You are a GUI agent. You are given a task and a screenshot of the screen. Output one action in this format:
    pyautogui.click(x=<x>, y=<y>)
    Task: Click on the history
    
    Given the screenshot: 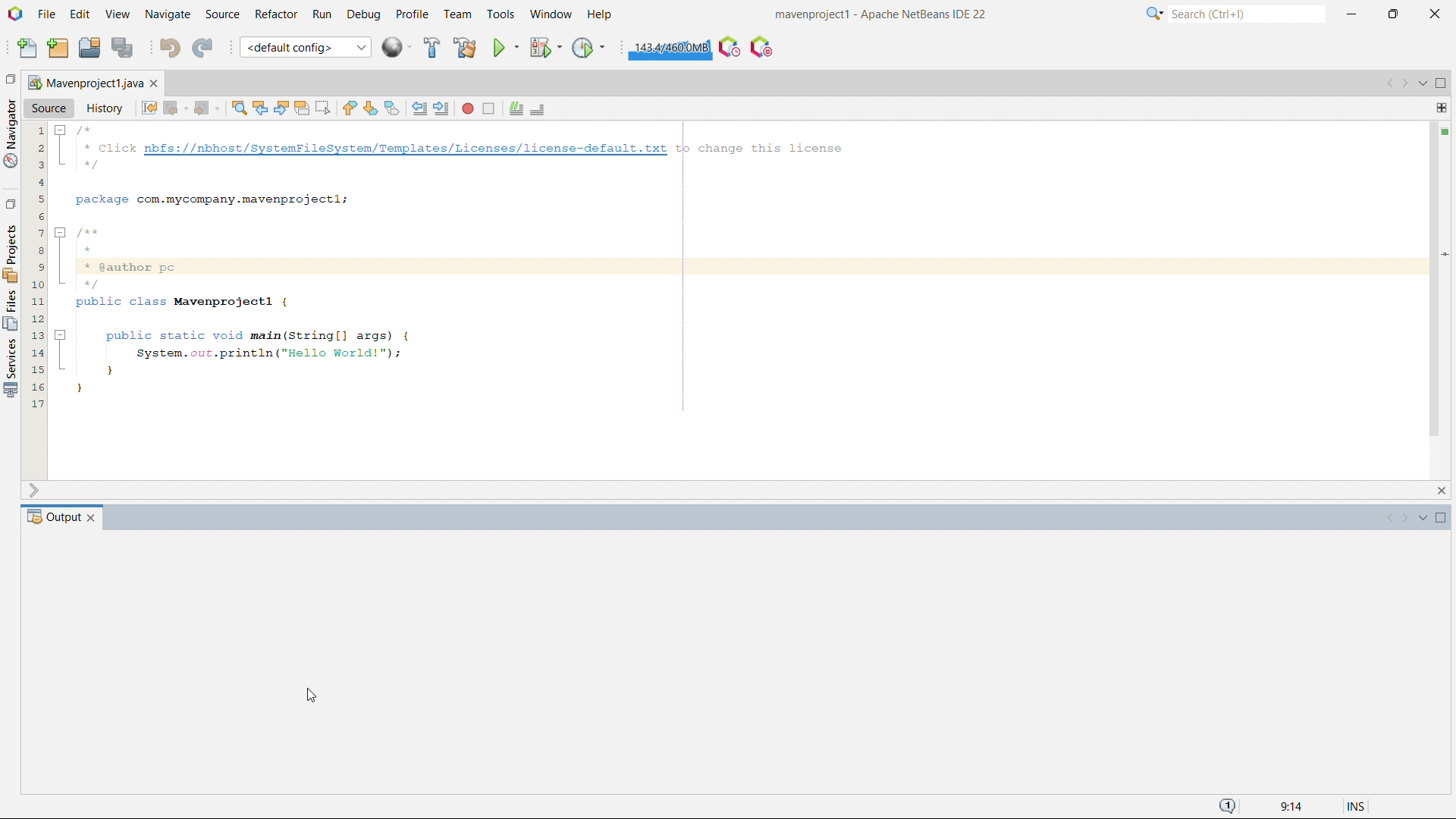 What is the action you would take?
    pyautogui.click(x=103, y=109)
    